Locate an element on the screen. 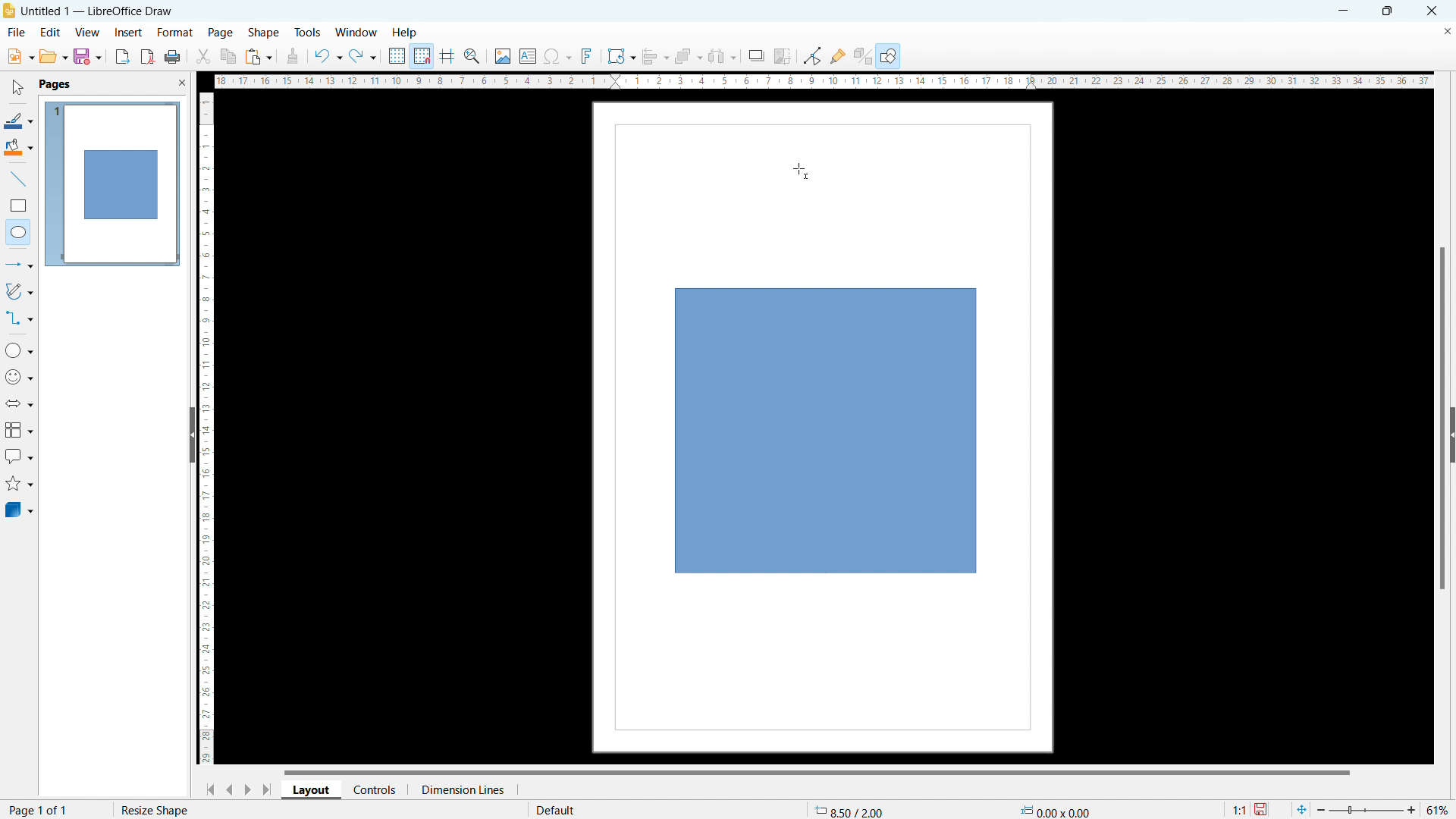  select at least three objects to distributw is located at coordinates (721, 57).